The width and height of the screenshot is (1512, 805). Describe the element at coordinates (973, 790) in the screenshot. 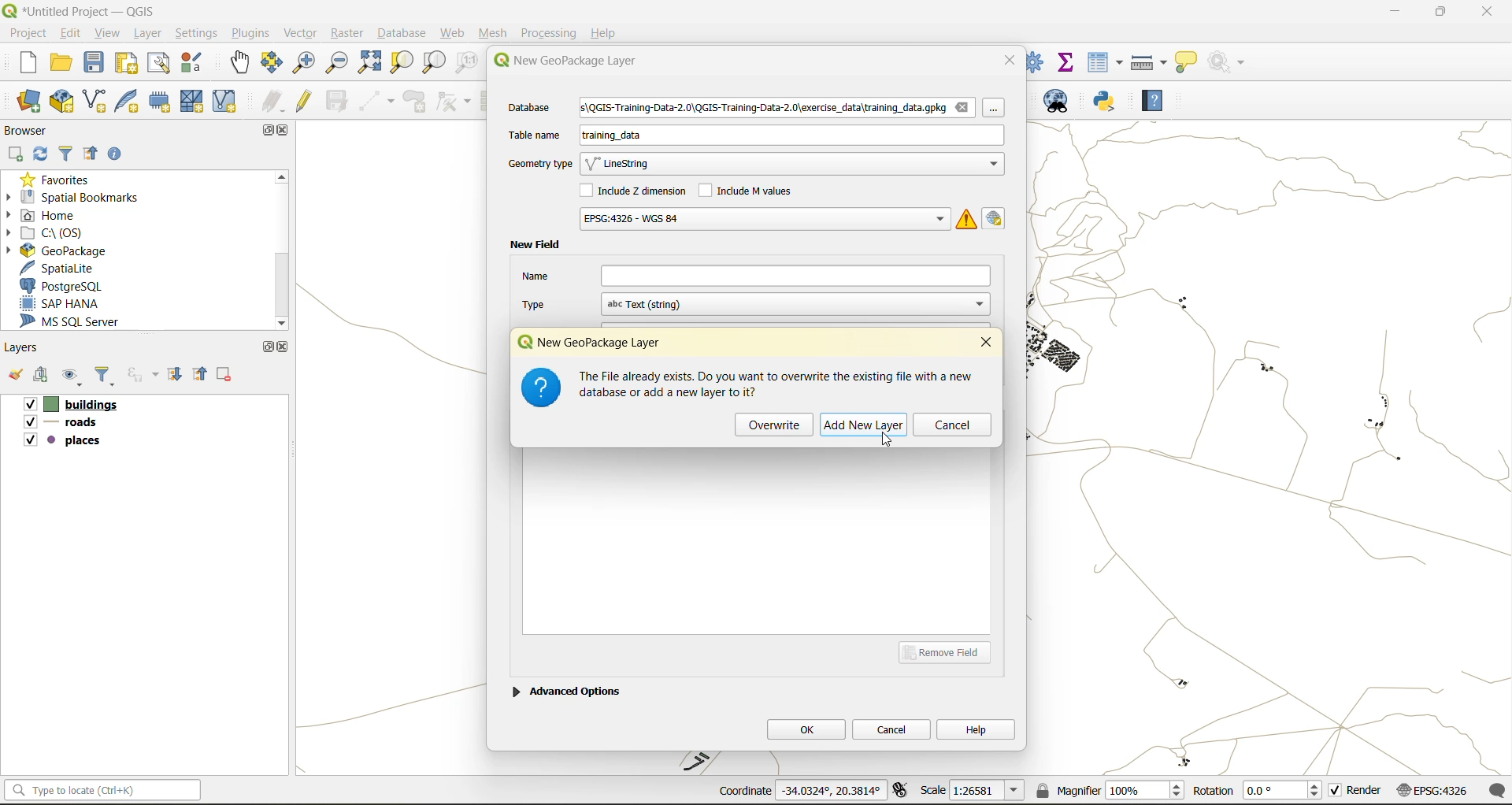

I see `scale(1:26581)` at that location.